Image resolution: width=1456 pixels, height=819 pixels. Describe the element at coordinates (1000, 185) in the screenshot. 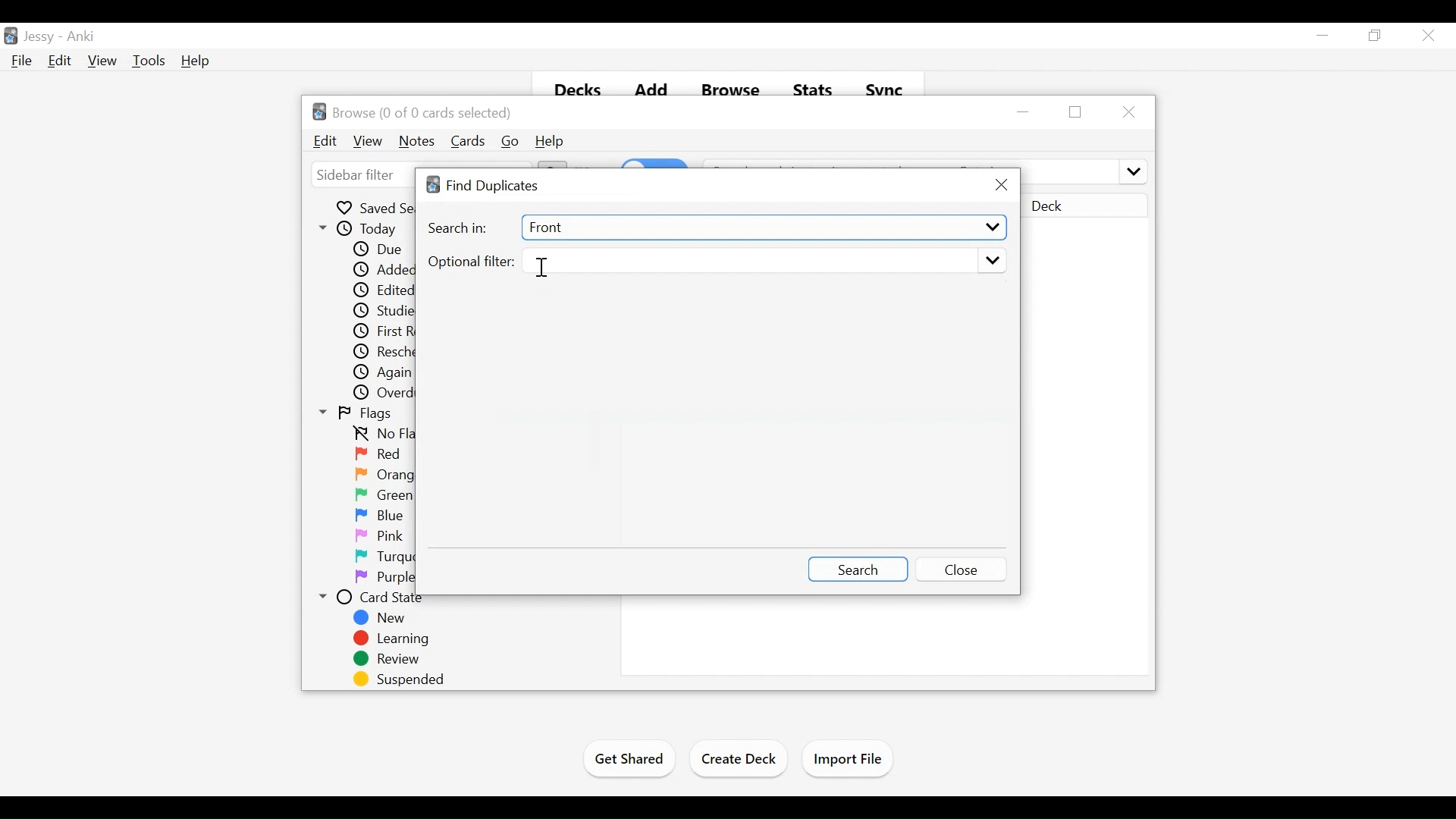

I see `Close` at that location.